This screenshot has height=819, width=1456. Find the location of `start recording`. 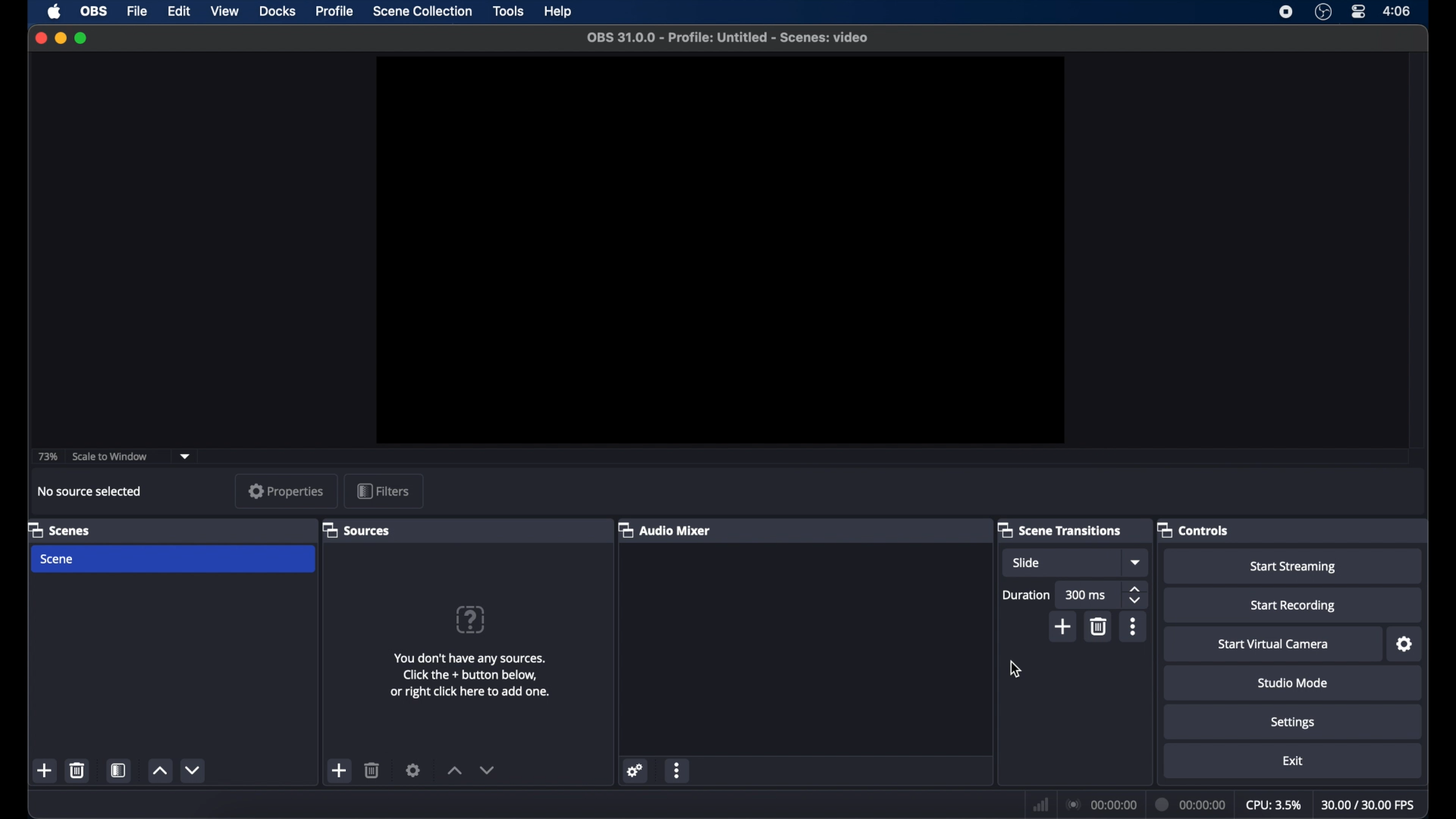

start recording is located at coordinates (1293, 606).